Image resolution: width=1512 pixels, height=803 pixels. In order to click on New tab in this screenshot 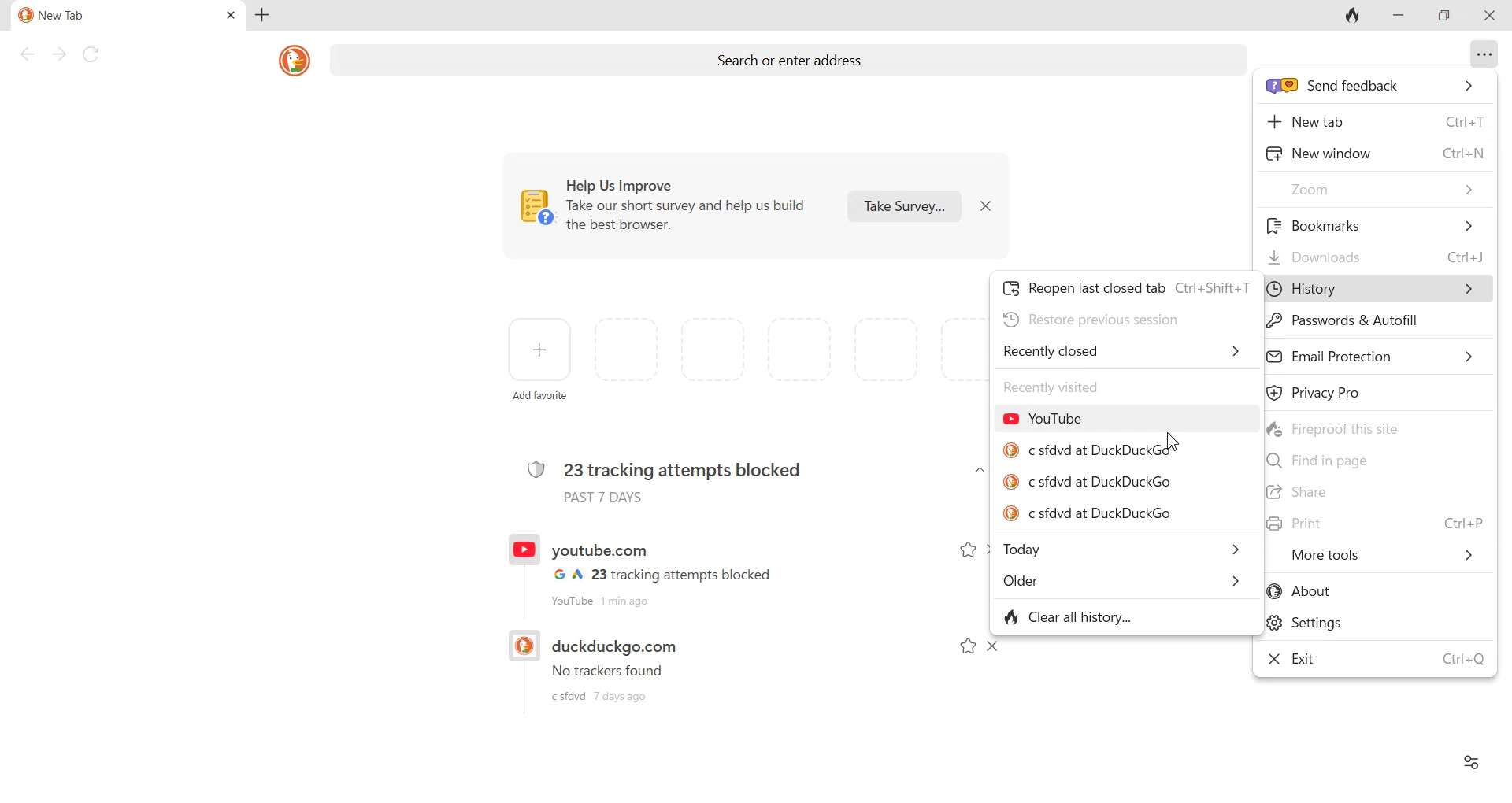, I will do `click(1375, 122)`.